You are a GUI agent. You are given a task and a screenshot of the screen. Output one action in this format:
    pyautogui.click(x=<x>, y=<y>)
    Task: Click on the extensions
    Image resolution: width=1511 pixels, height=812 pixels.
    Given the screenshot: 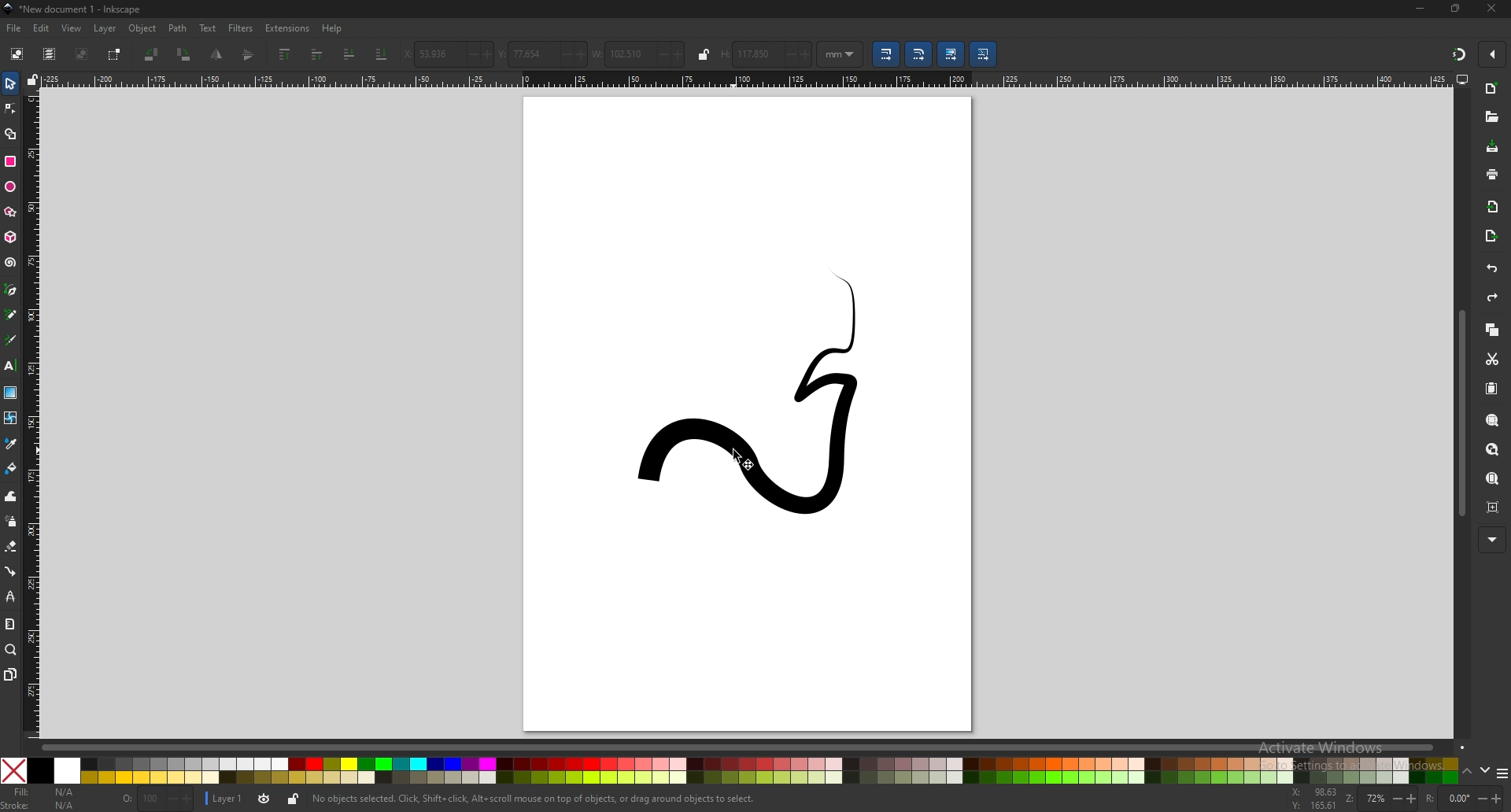 What is the action you would take?
    pyautogui.click(x=286, y=28)
    